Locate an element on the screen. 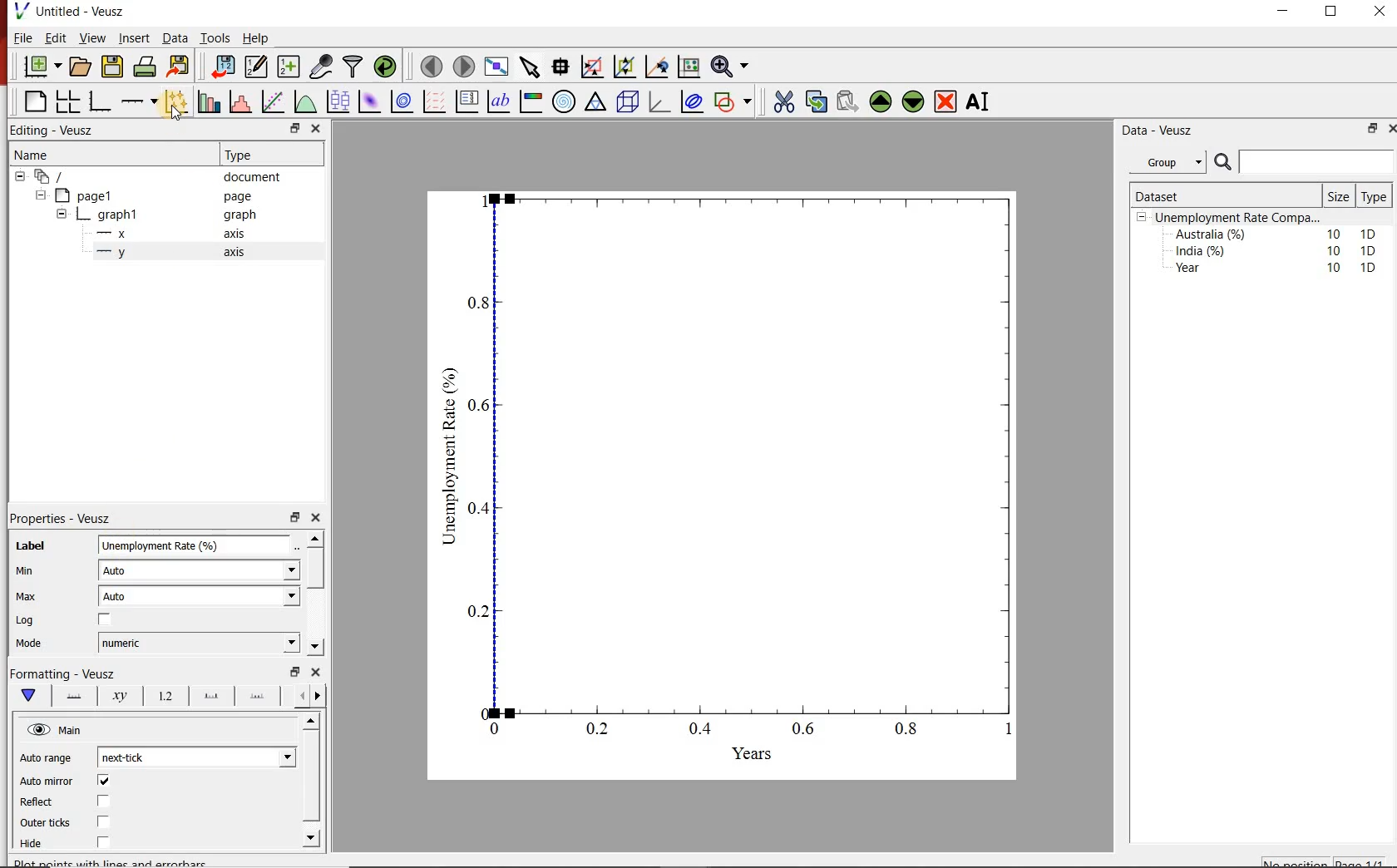  edit and enter new datasets is located at coordinates (258, 65).